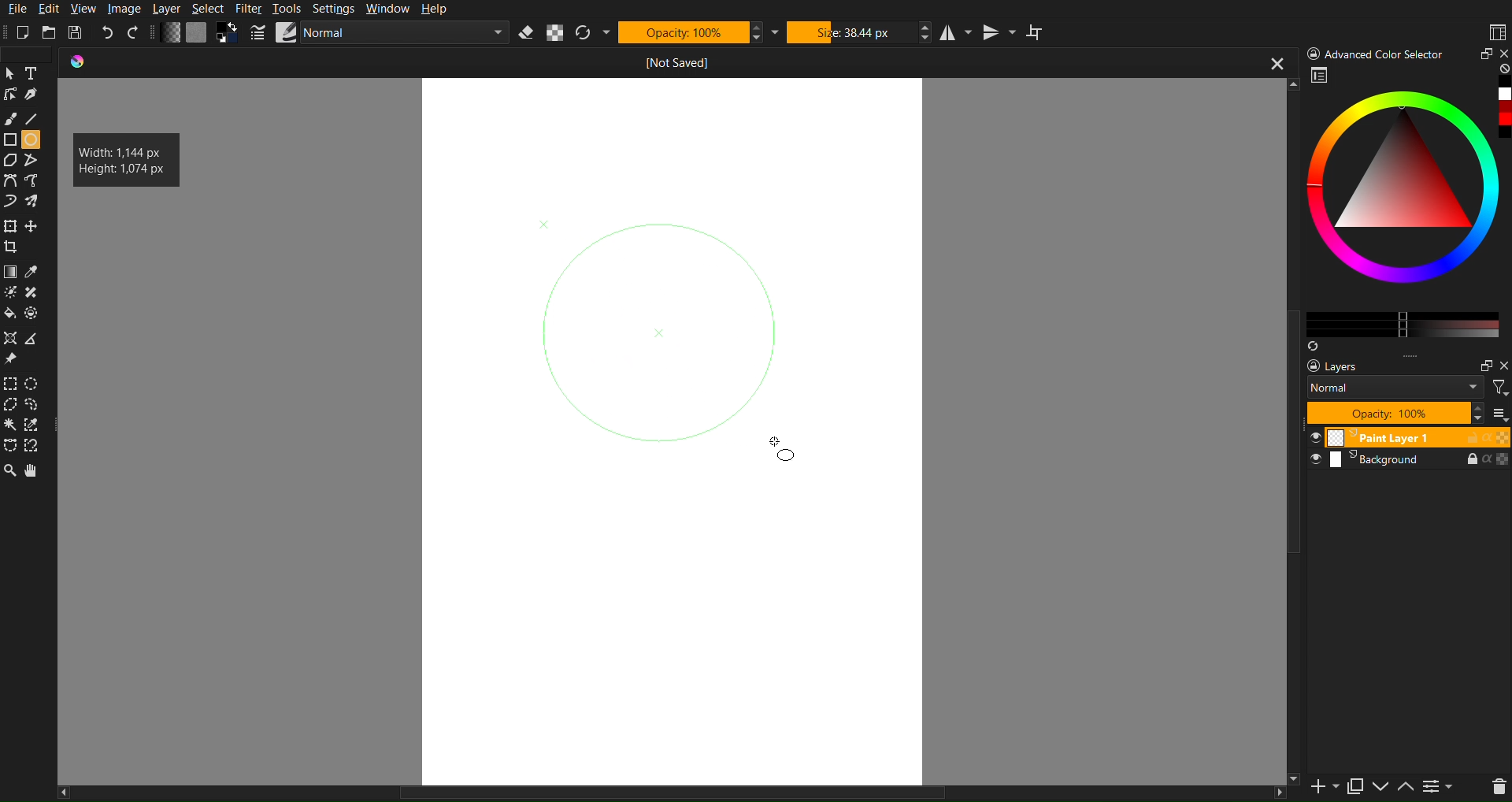  What do you see at coordinates (1501, 412) in the screenshot?
I see `more` at bounding box center [1501, 412].